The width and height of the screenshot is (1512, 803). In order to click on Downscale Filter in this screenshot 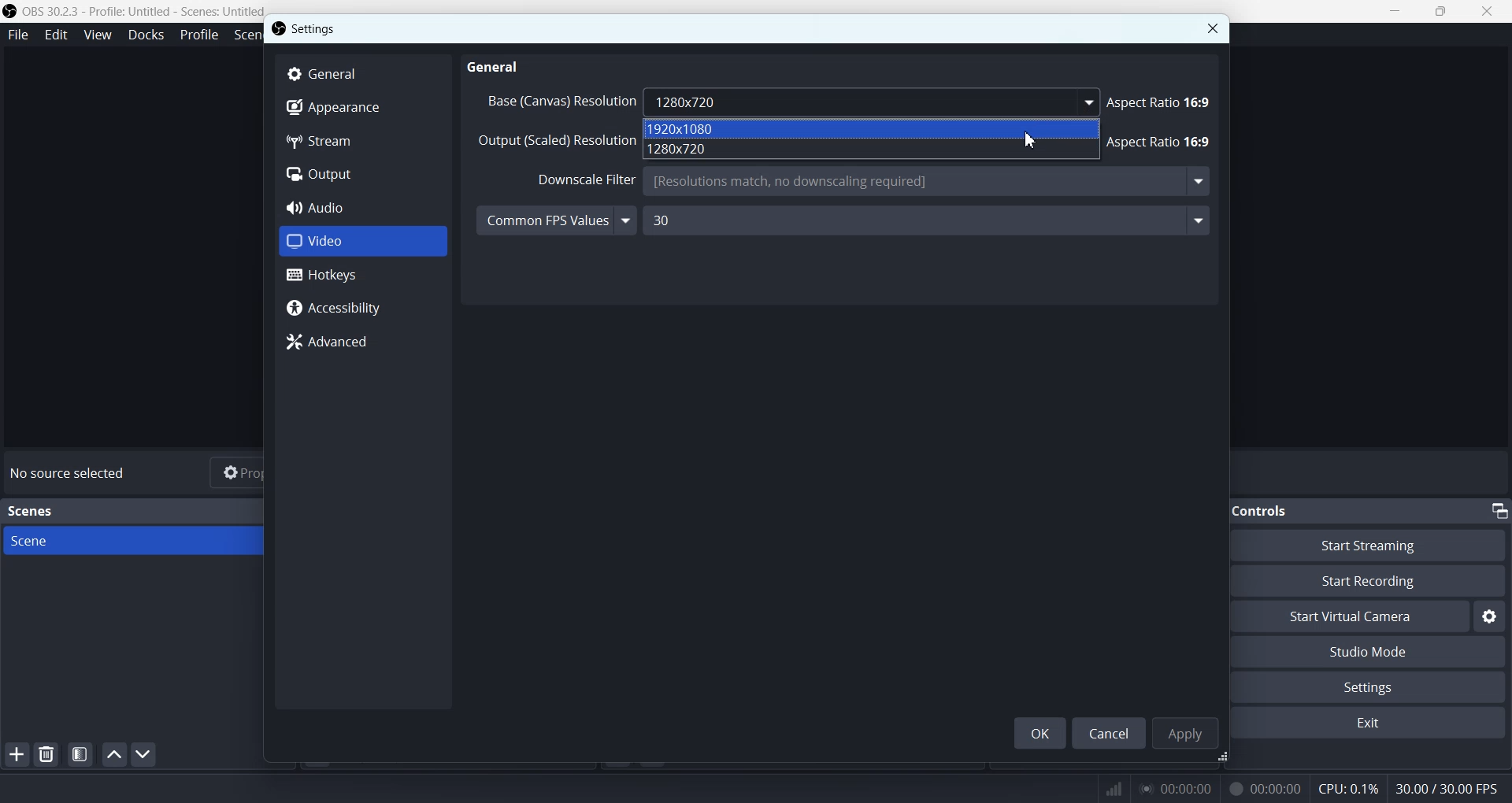, I will do `click(928, 181)`.